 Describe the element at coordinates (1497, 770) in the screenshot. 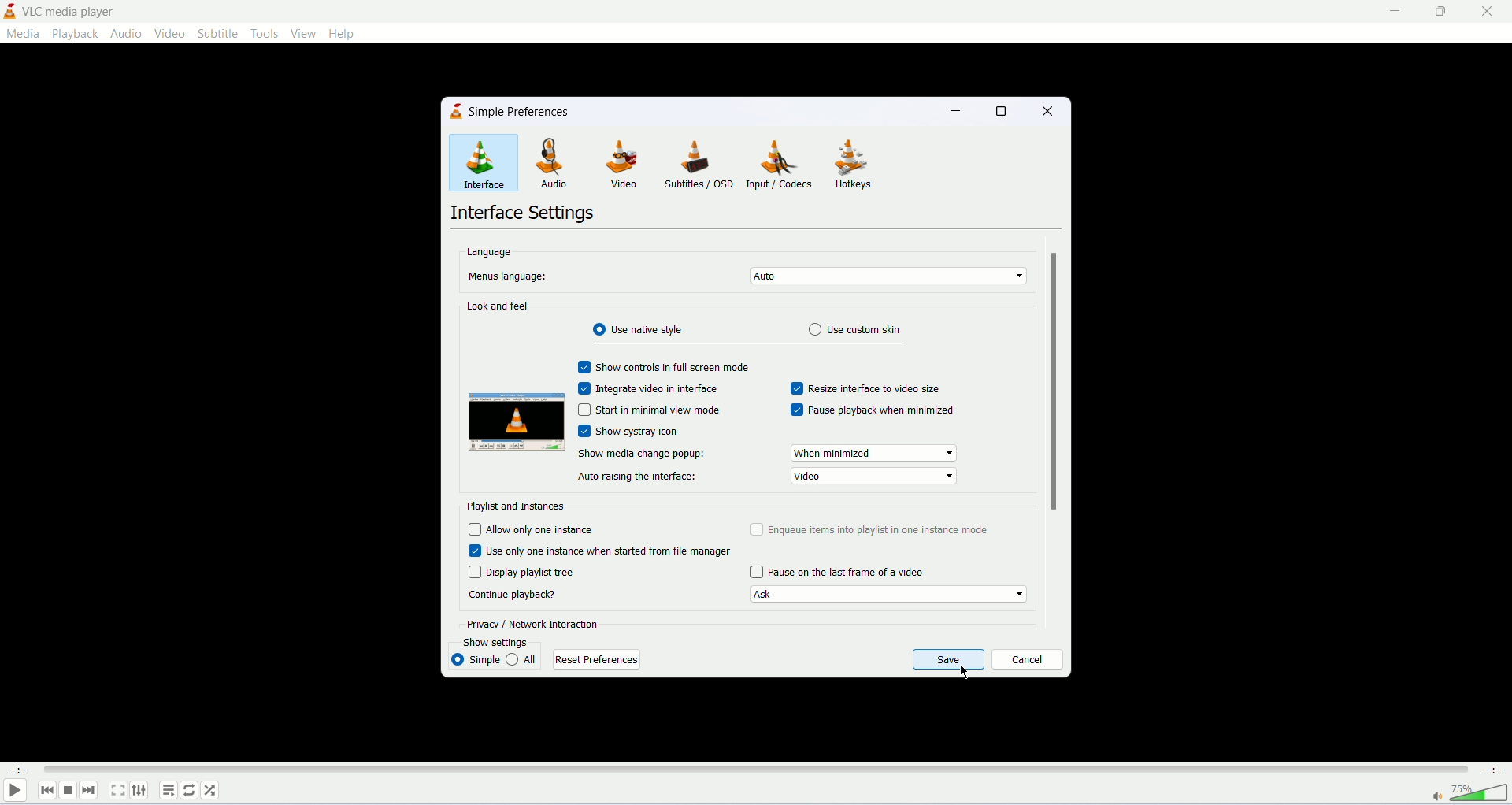

I see `total time` at that location.